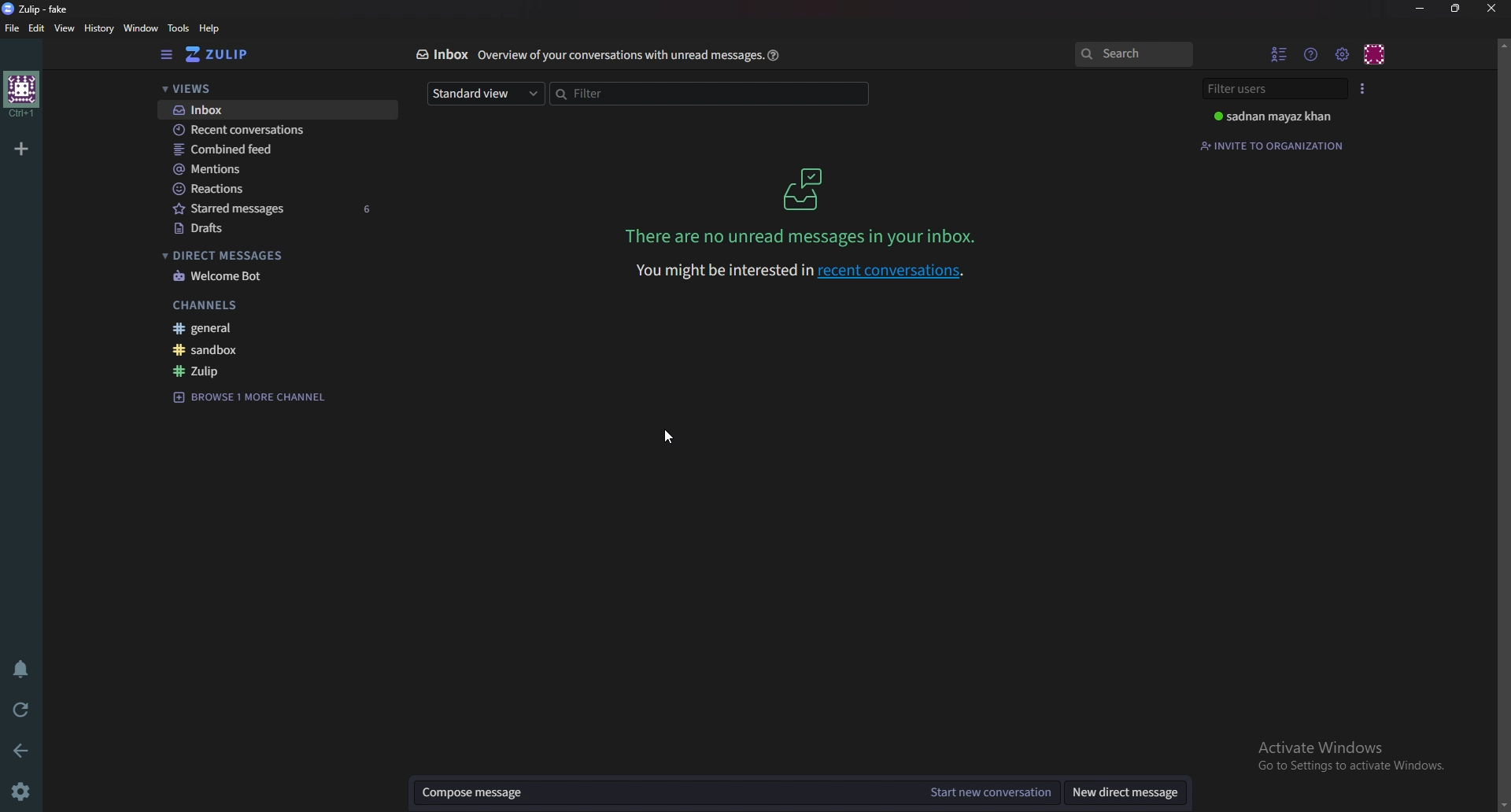  What do you see at coordinates (276, 168) in the screenshot?
I see `Mentions` at bounding box center [276, 168].